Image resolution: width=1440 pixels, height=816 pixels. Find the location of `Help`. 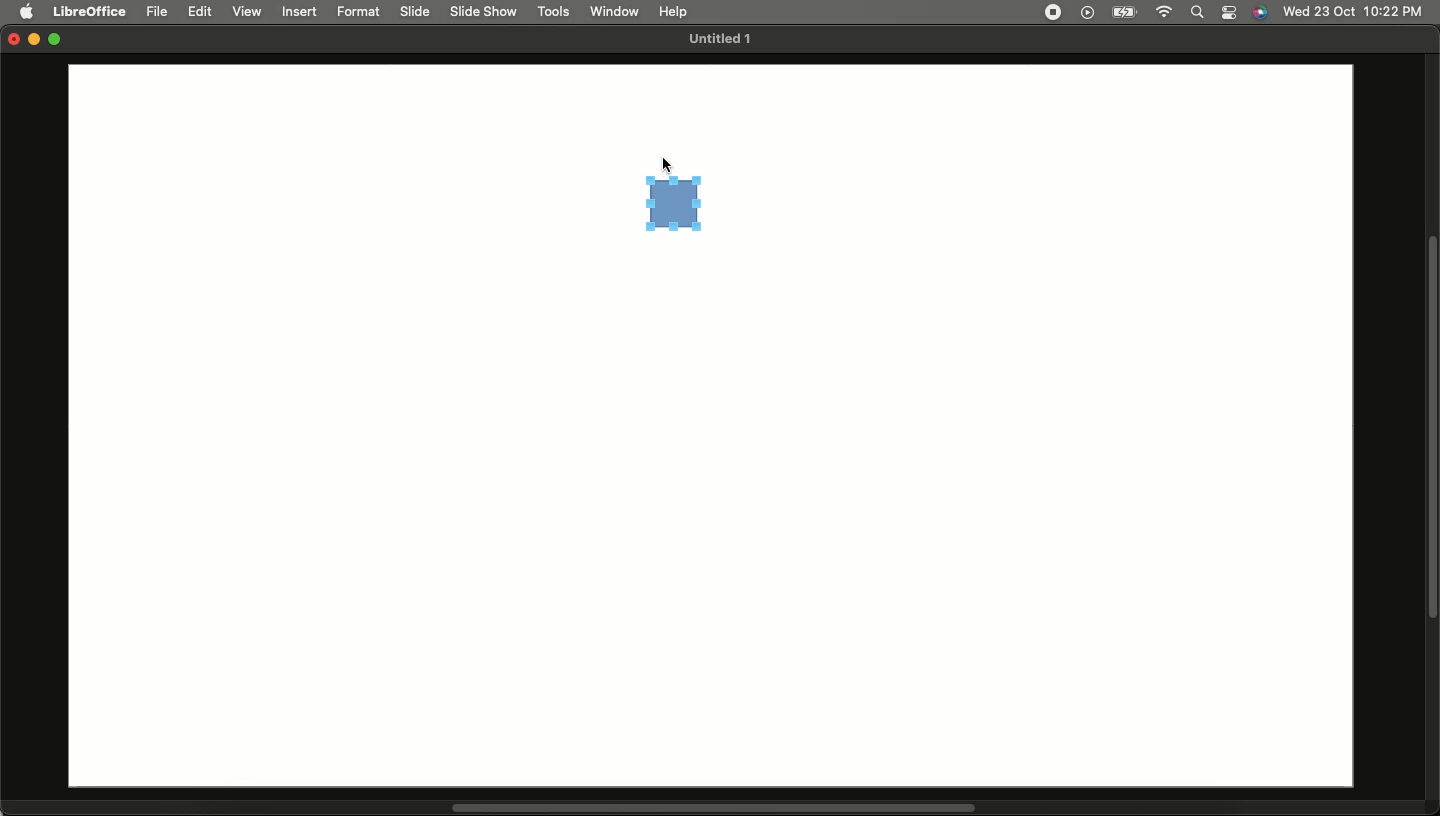

Help is located at coordinates (673, 9).